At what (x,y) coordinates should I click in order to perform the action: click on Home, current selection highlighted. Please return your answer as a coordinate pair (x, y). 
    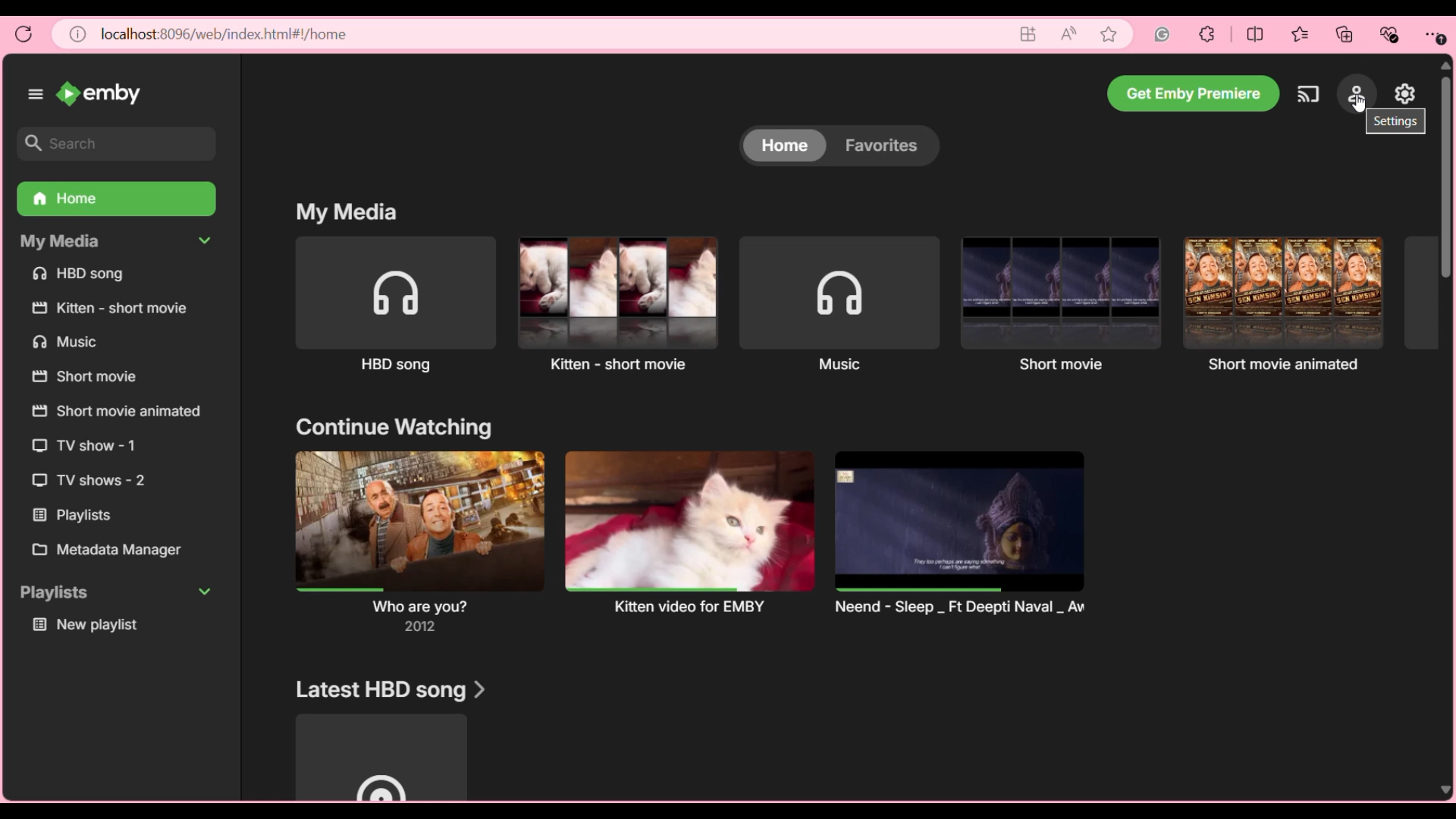
    Looking at the image, I should click on (117, 199).